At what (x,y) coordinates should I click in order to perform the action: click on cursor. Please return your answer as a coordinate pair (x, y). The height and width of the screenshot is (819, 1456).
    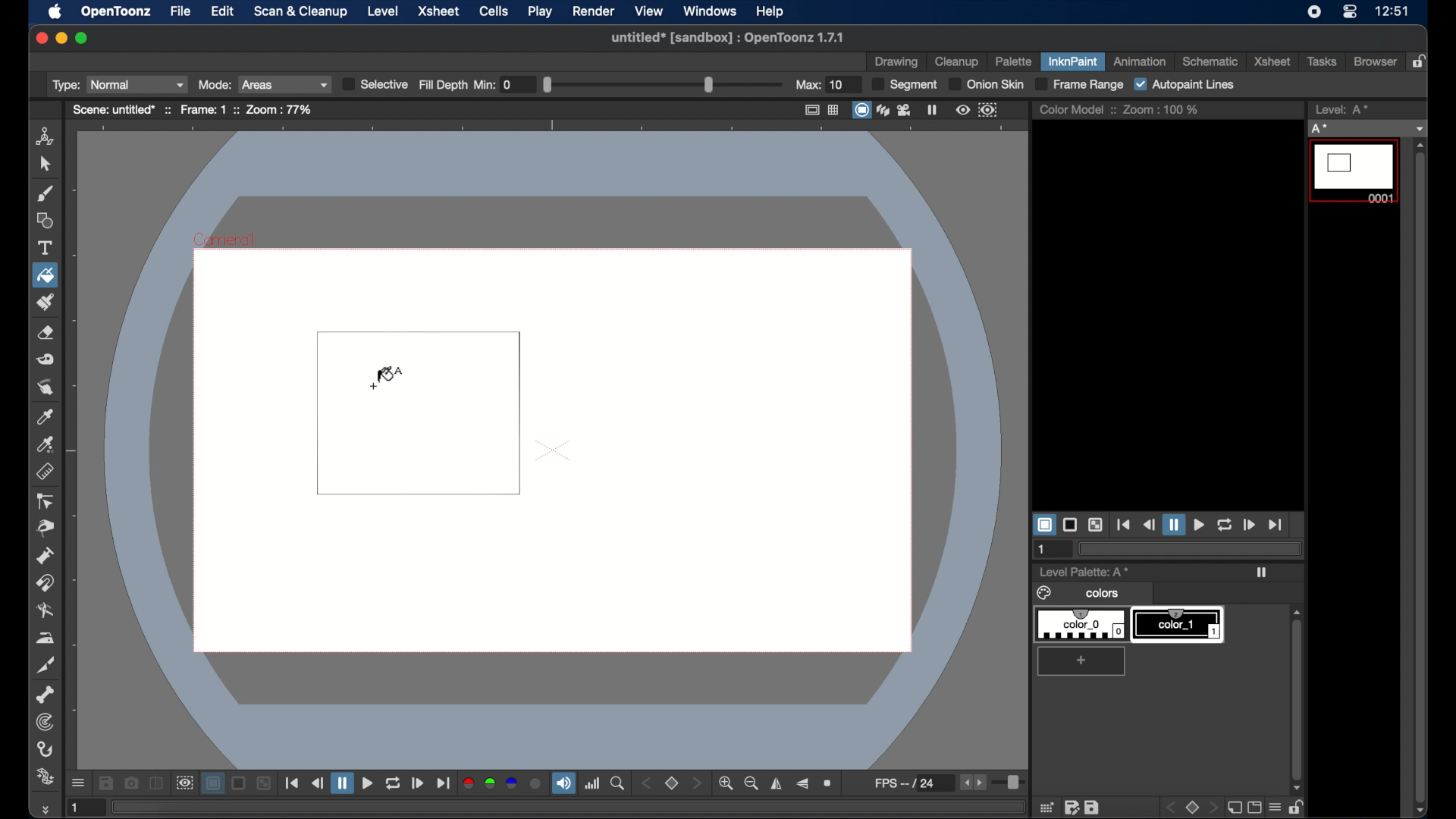
    Looking at the image, I should click on (58, 287).